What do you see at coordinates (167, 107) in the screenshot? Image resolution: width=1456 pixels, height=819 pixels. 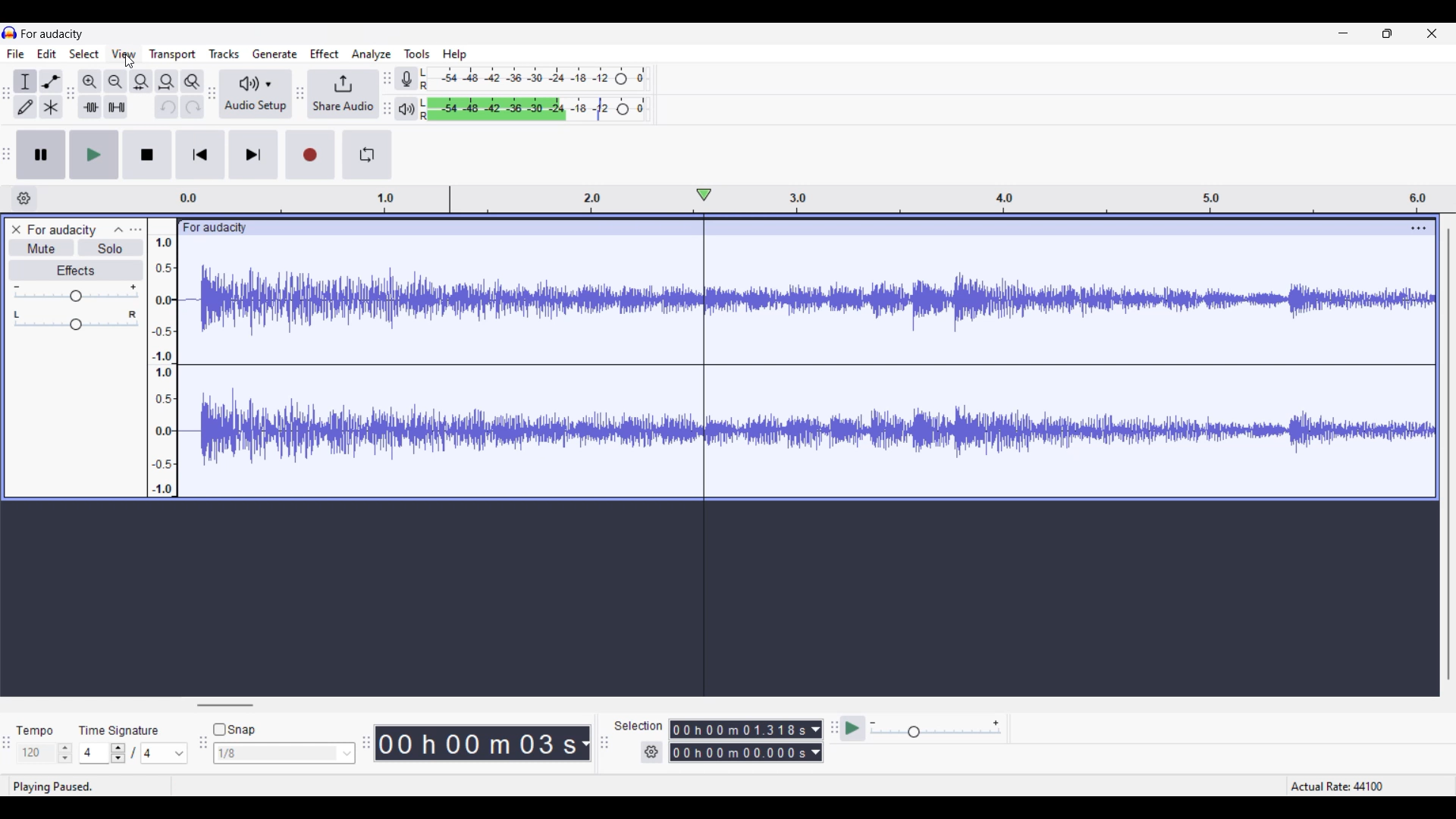 I see `Undo` at bounding box center [167, 107].